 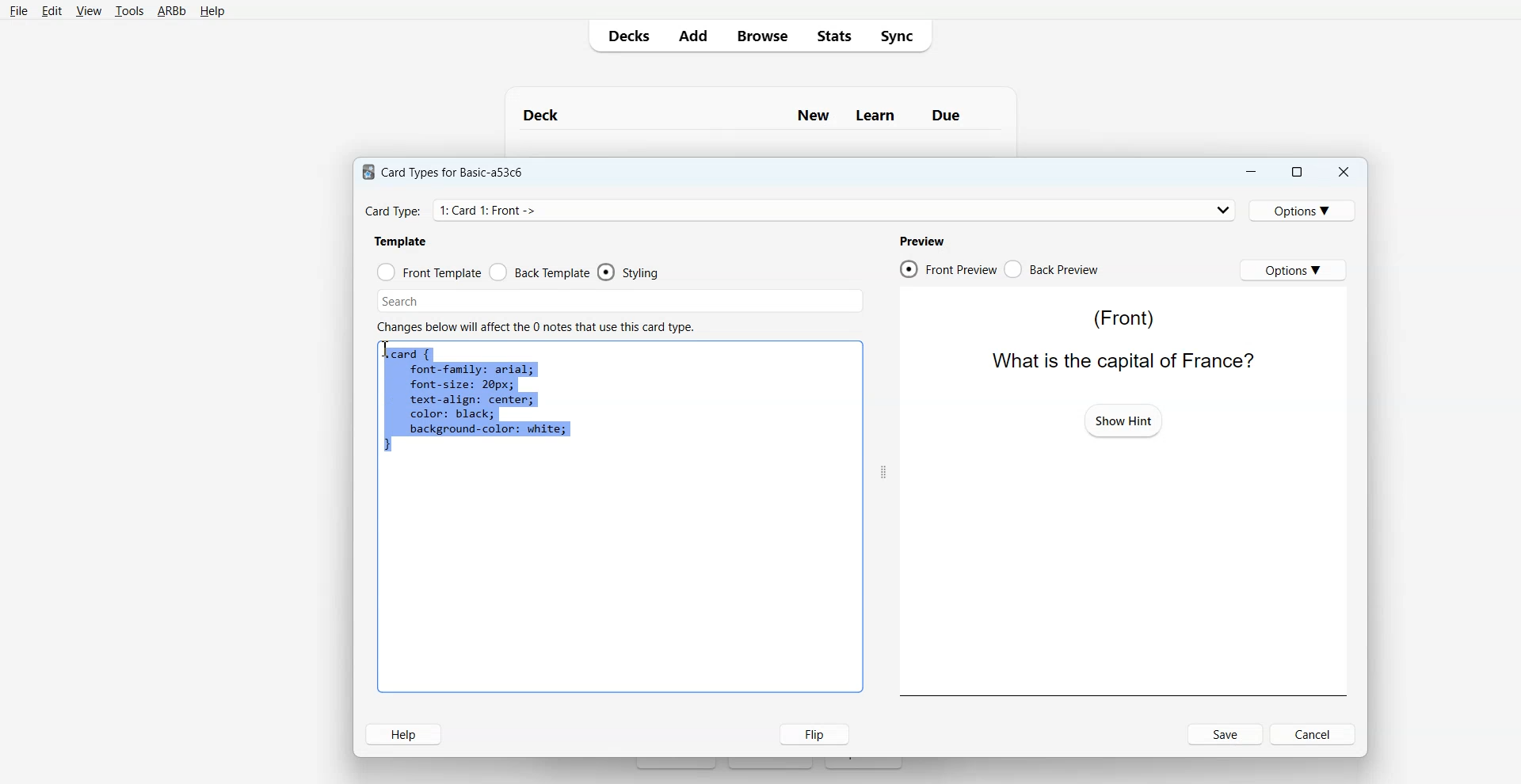 I want to click on Cancel, so click(x=1315, y=733).